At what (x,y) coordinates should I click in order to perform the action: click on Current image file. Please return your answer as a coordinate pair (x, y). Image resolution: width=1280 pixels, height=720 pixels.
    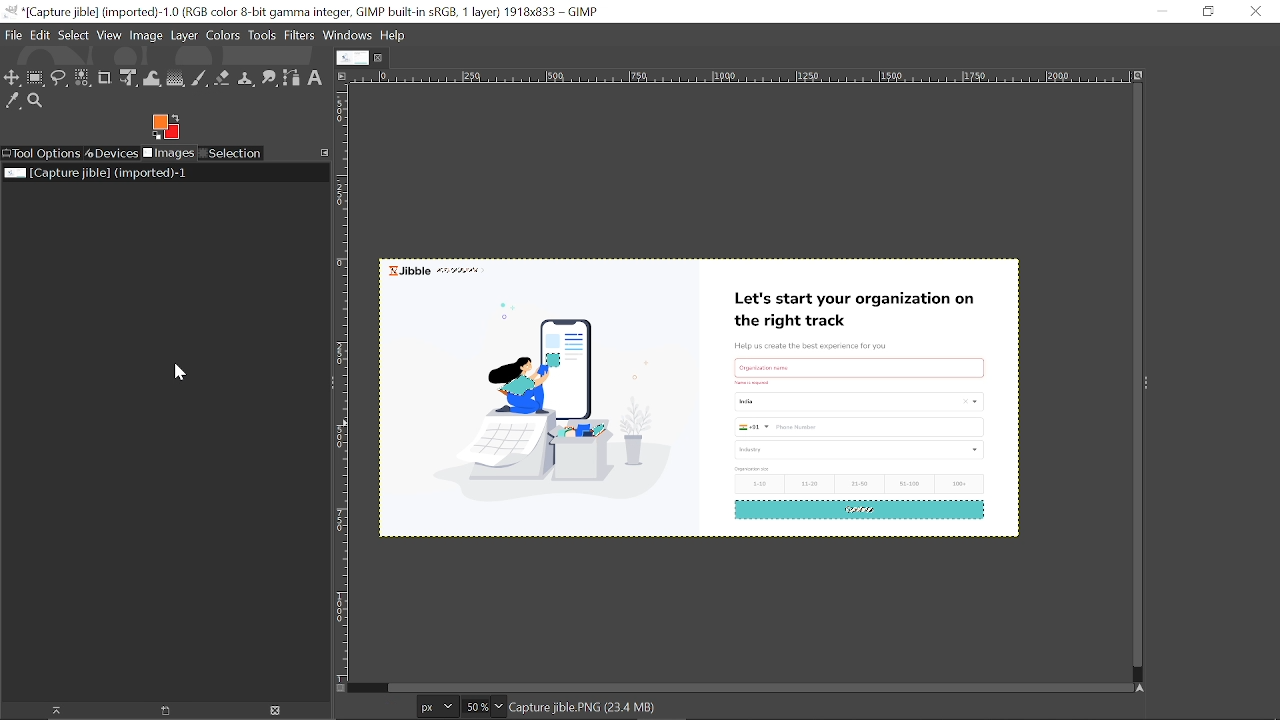
    Looking at the image, I should click on (97, 172).